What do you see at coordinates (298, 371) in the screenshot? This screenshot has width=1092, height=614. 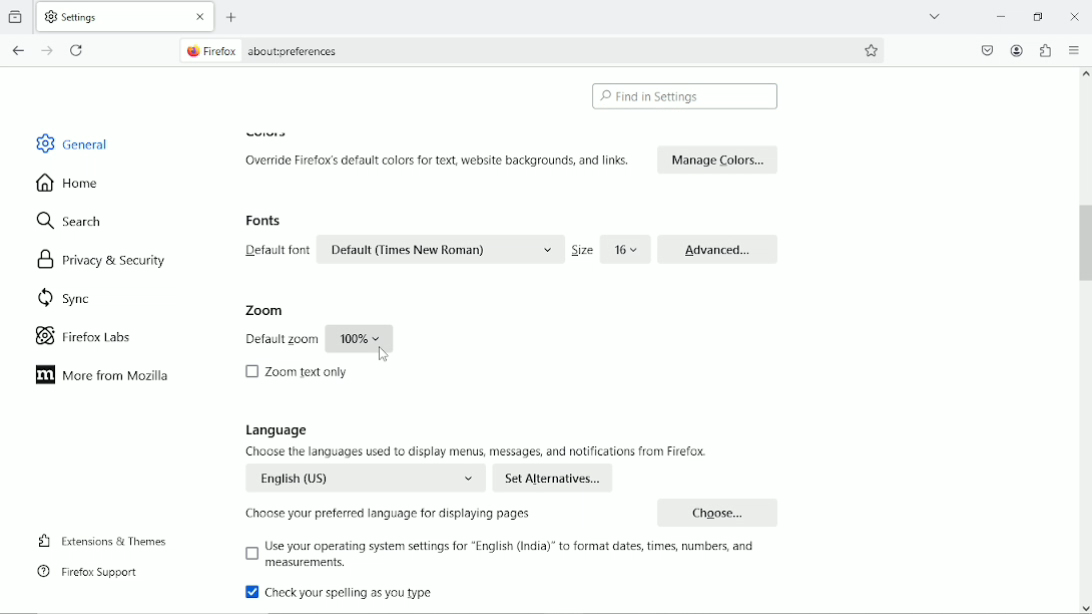 I see `Zoom text only` at bounding box center [298, 371].